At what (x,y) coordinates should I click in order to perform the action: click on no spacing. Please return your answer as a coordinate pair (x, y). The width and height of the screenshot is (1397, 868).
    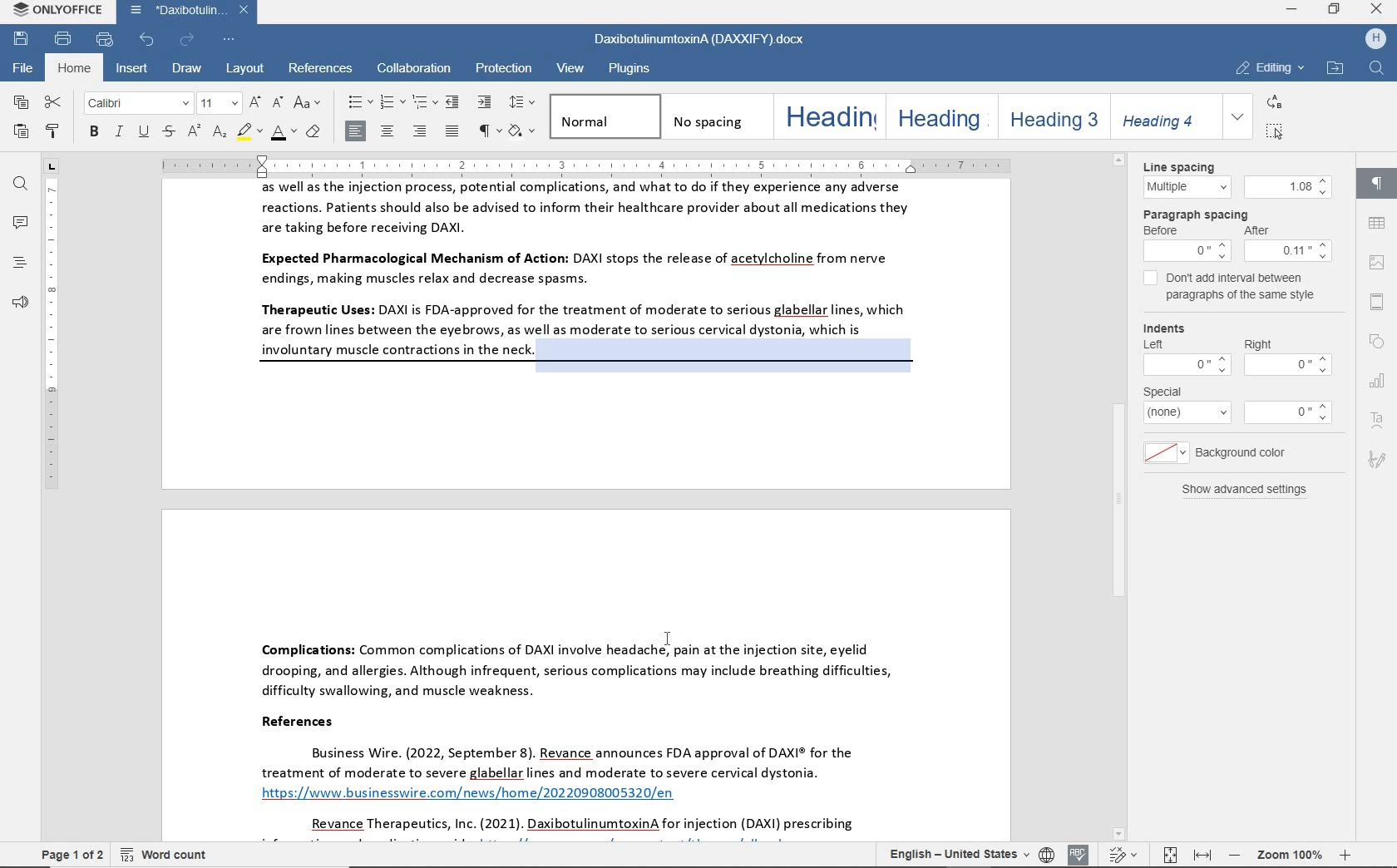
    Looking at the image, I should click on (713, 116).